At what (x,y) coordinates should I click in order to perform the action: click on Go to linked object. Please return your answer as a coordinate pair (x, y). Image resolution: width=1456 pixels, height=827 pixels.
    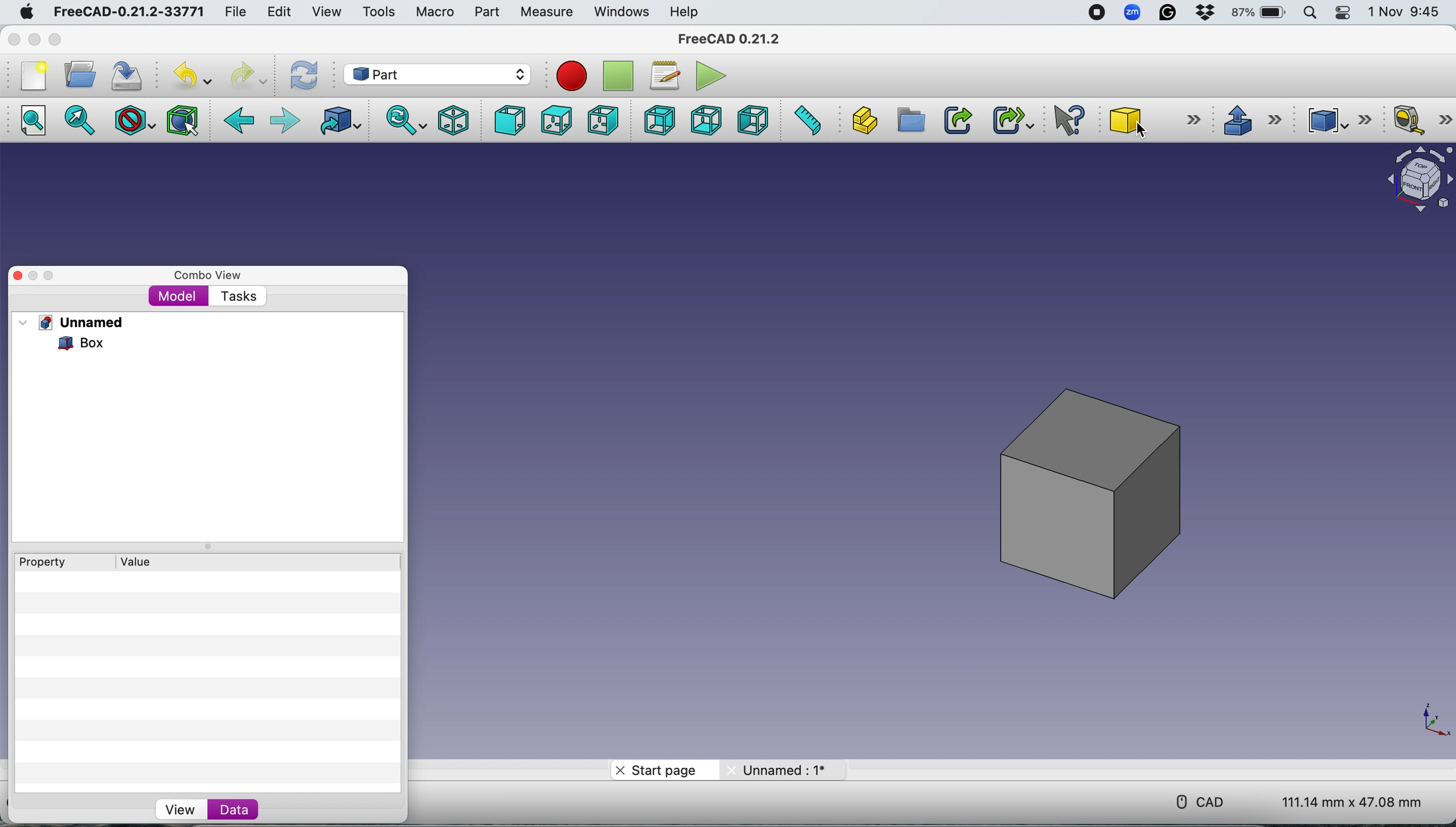
    Looking at the image, I should click on (343, 121).